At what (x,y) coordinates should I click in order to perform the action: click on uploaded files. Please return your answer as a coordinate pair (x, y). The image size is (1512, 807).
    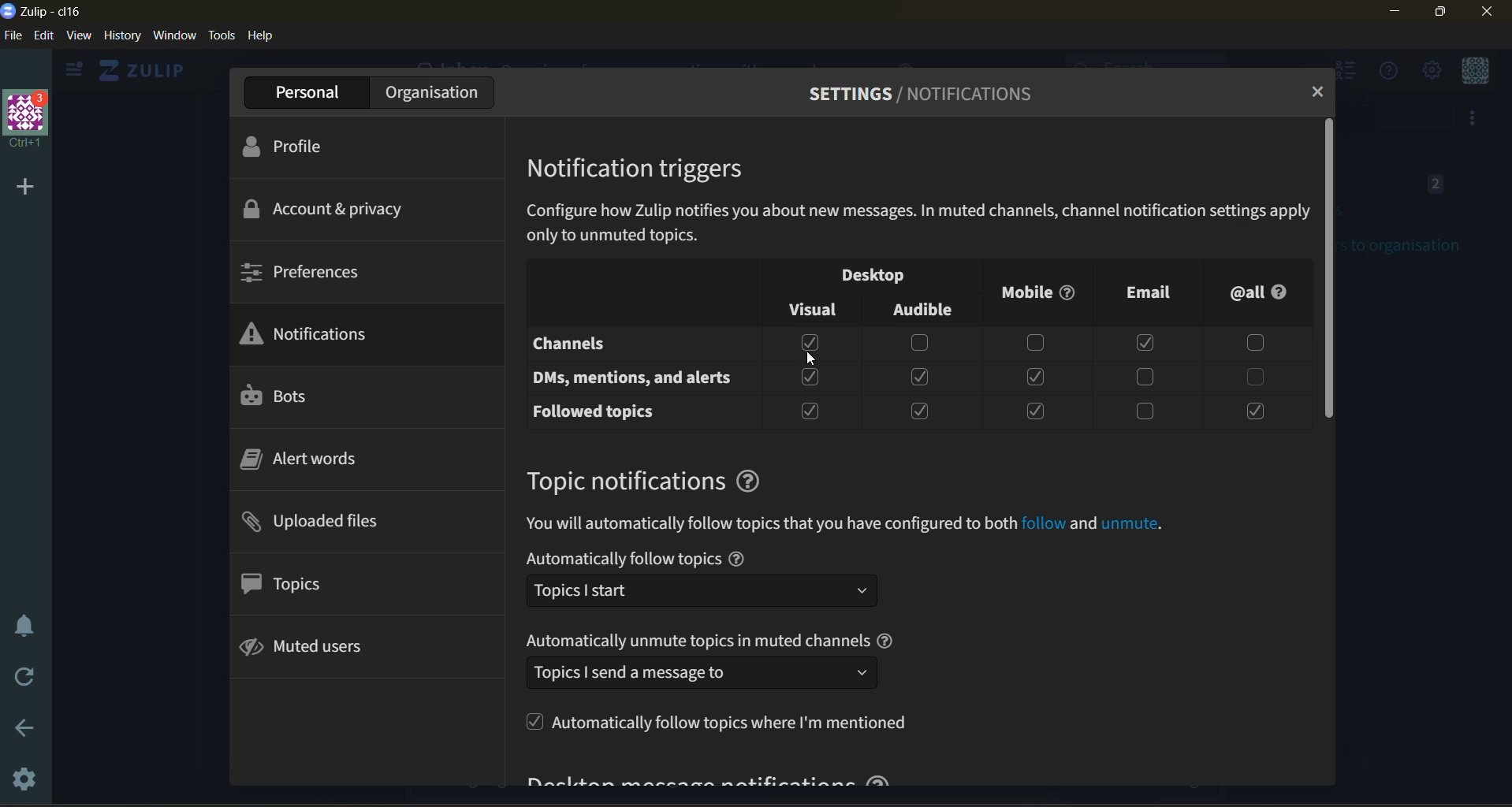
    Looking at the image, I should click on (324, 523).